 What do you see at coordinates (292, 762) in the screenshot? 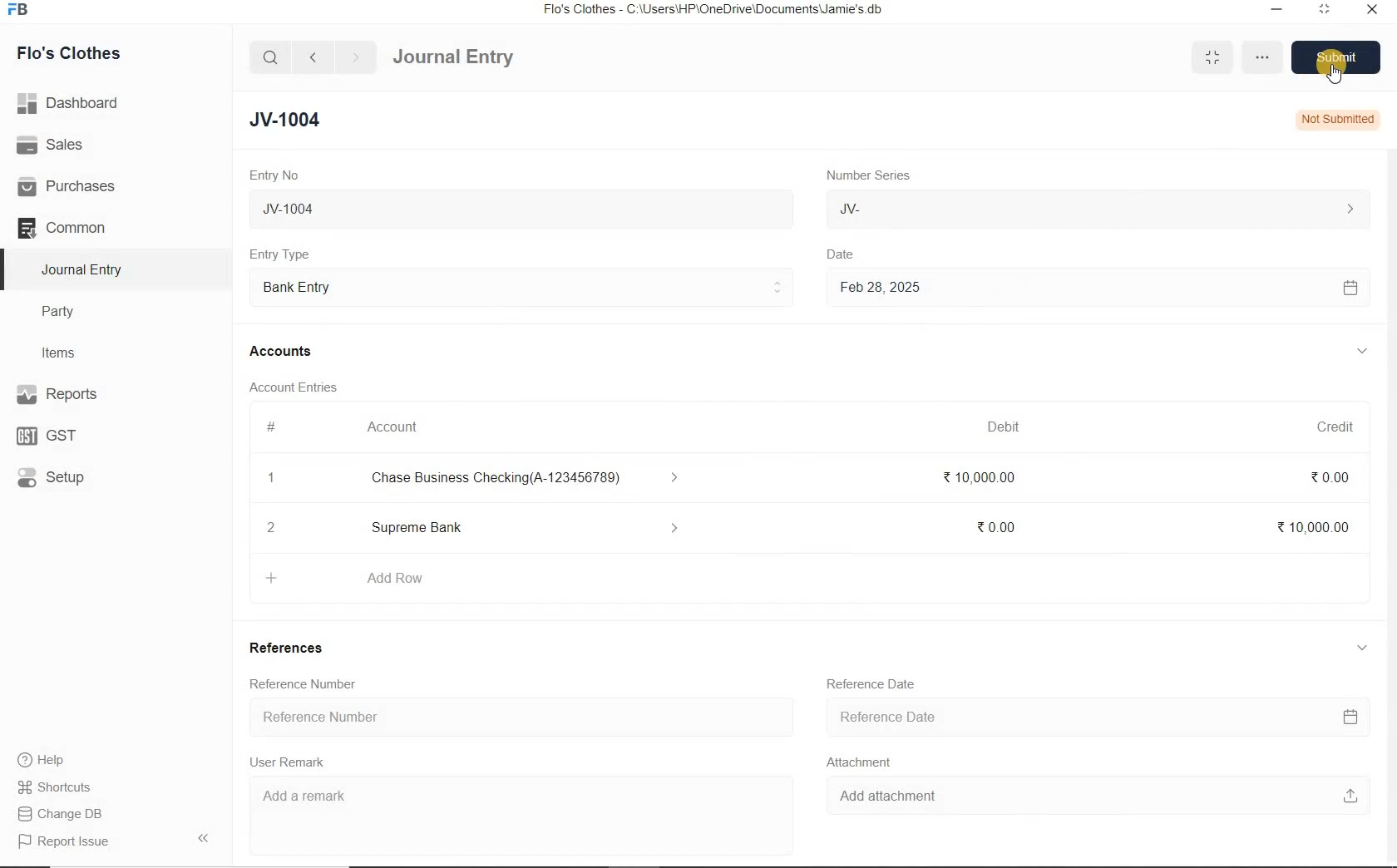
I see `User Remark` at bounding box center [292, 762].